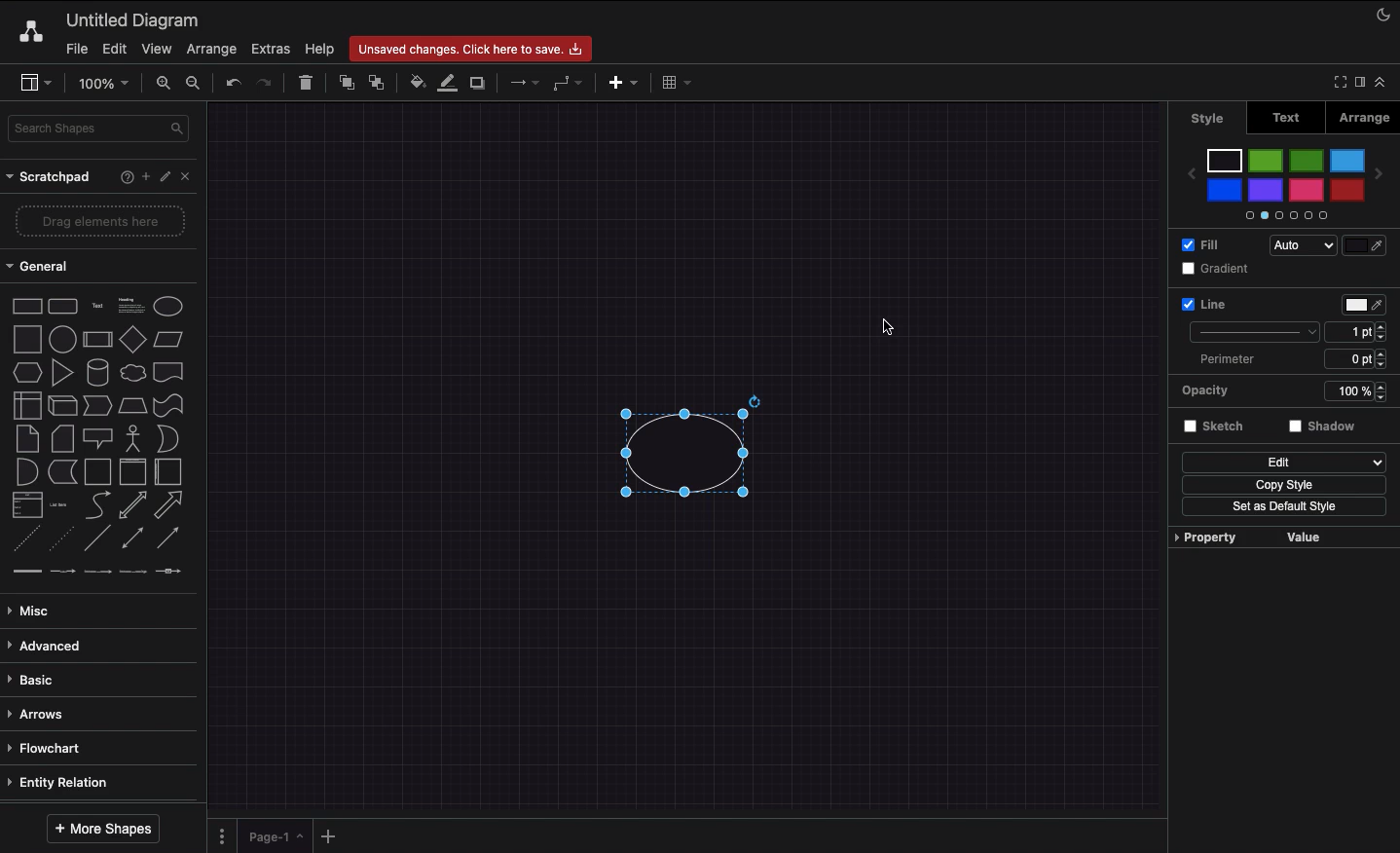 The width and height of the screenshot is (1400, 853). Describe the element at coordinates (106, 84) in the screenshot. I see `100%` at that location.